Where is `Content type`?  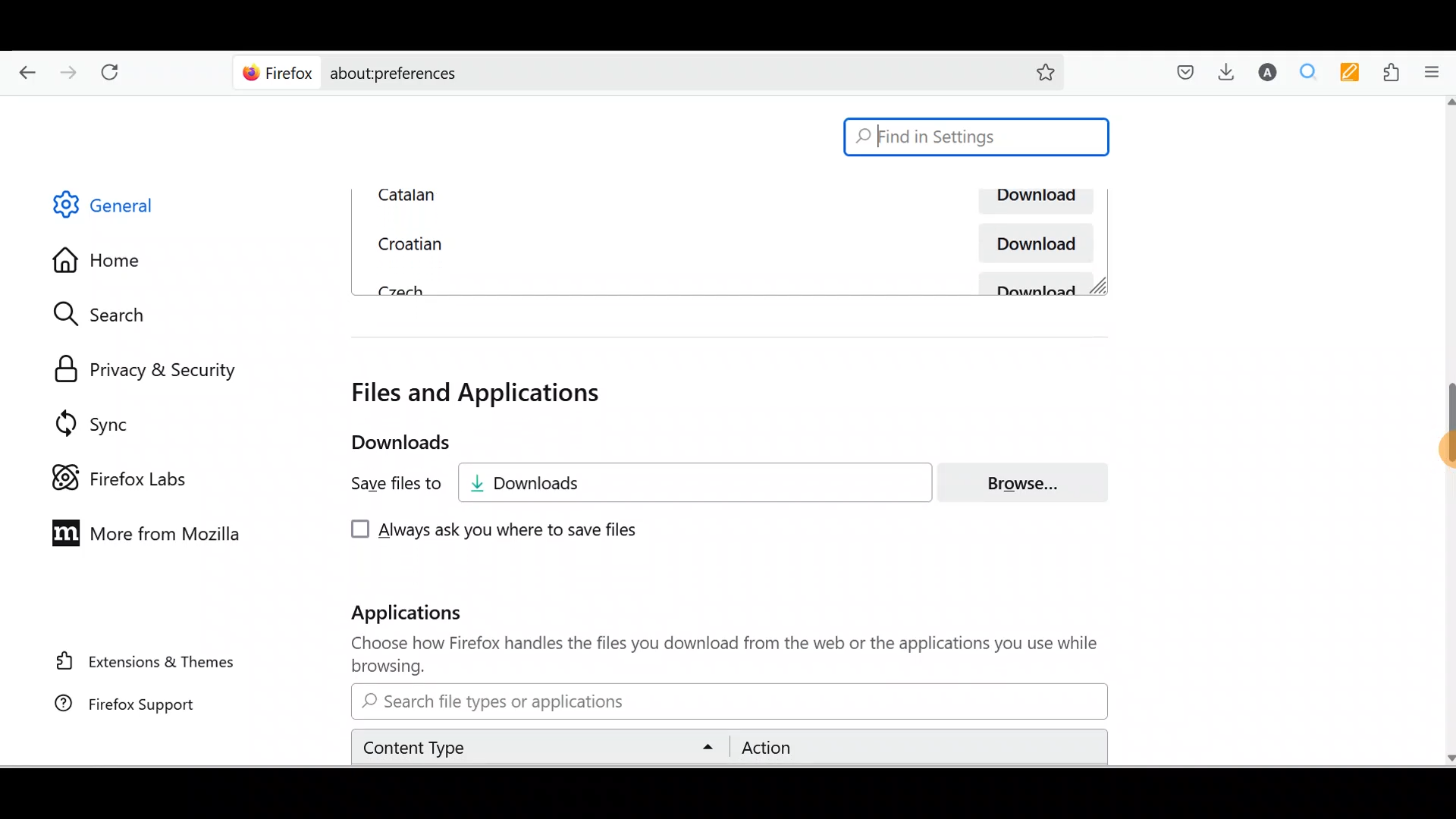 Content type is located at coordinates (542, 746).